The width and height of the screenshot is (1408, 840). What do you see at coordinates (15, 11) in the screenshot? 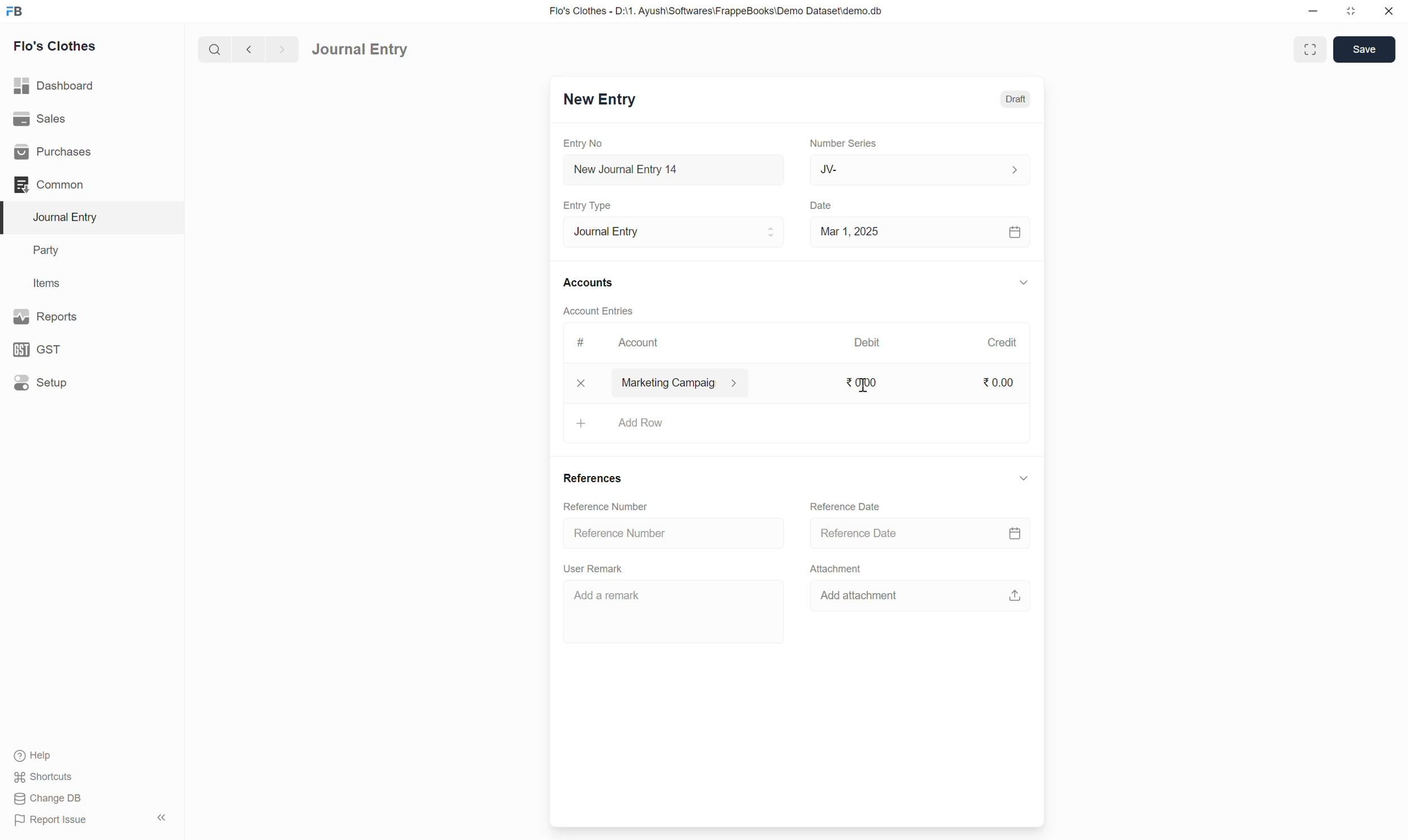
I see `FB` at bounding box center [15, 11].